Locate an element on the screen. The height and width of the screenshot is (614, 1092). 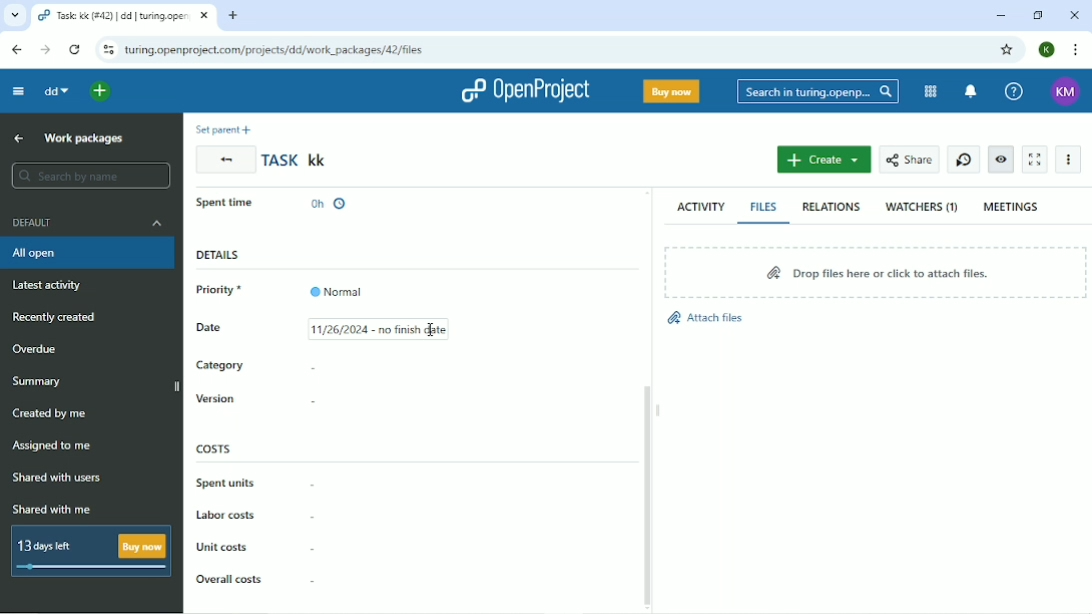
Bookmark this tab is located at coordinates (1007, 50).